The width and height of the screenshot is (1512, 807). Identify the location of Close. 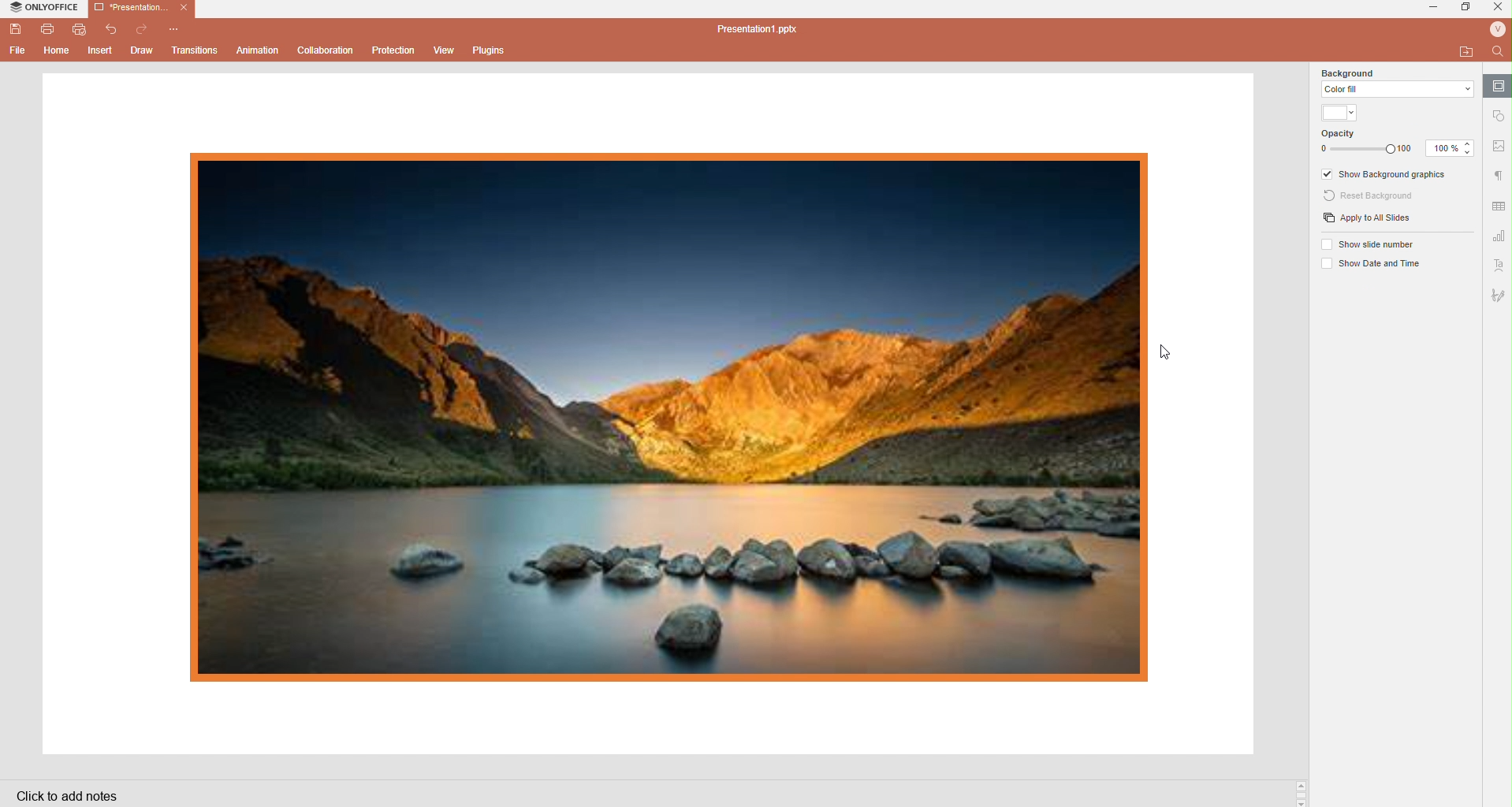
(1499, 9).